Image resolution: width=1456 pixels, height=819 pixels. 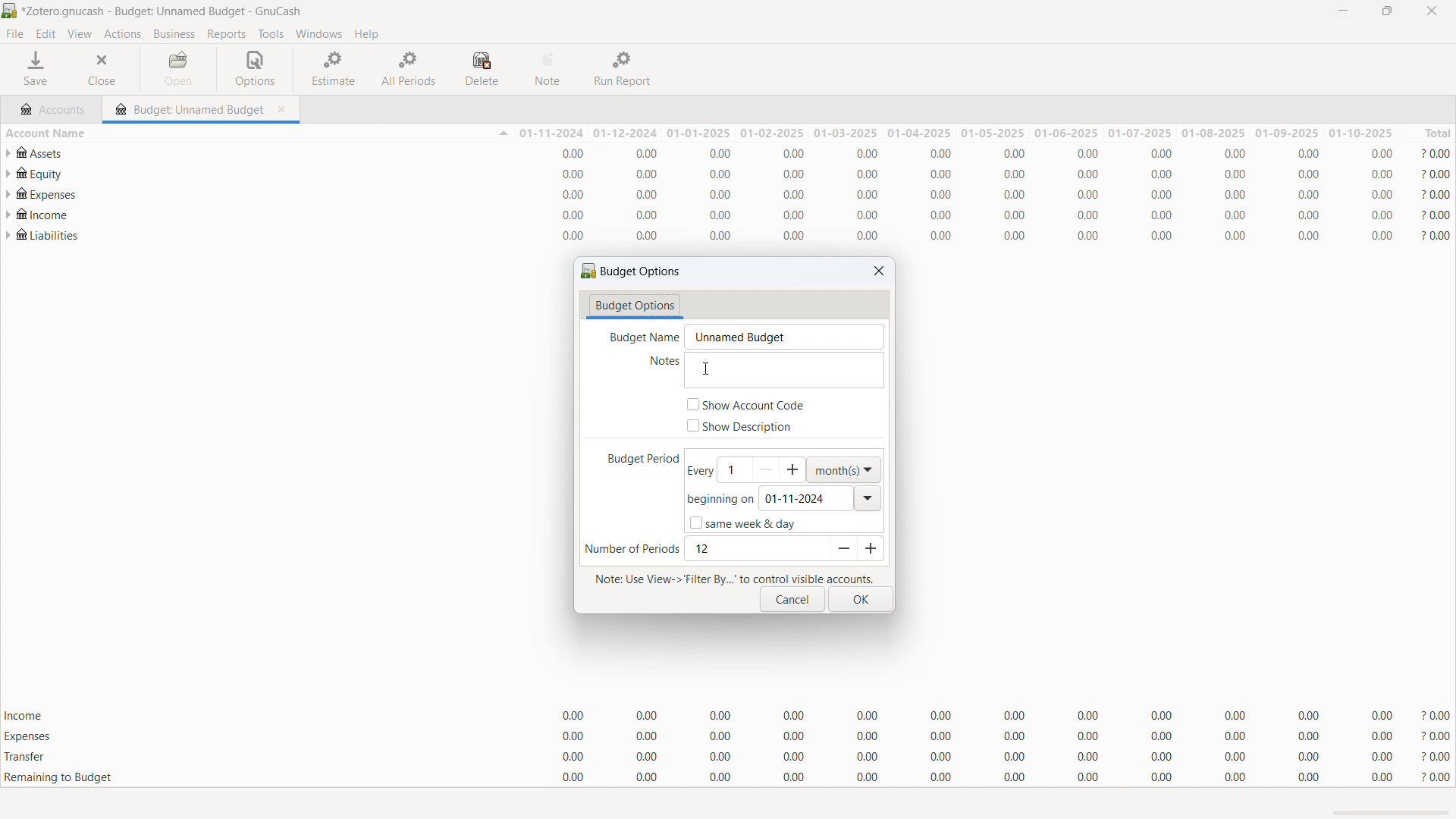 What do you see at coordinates (550, 69) in the screenshot?
I see `note` at bounding box center [550, 69].